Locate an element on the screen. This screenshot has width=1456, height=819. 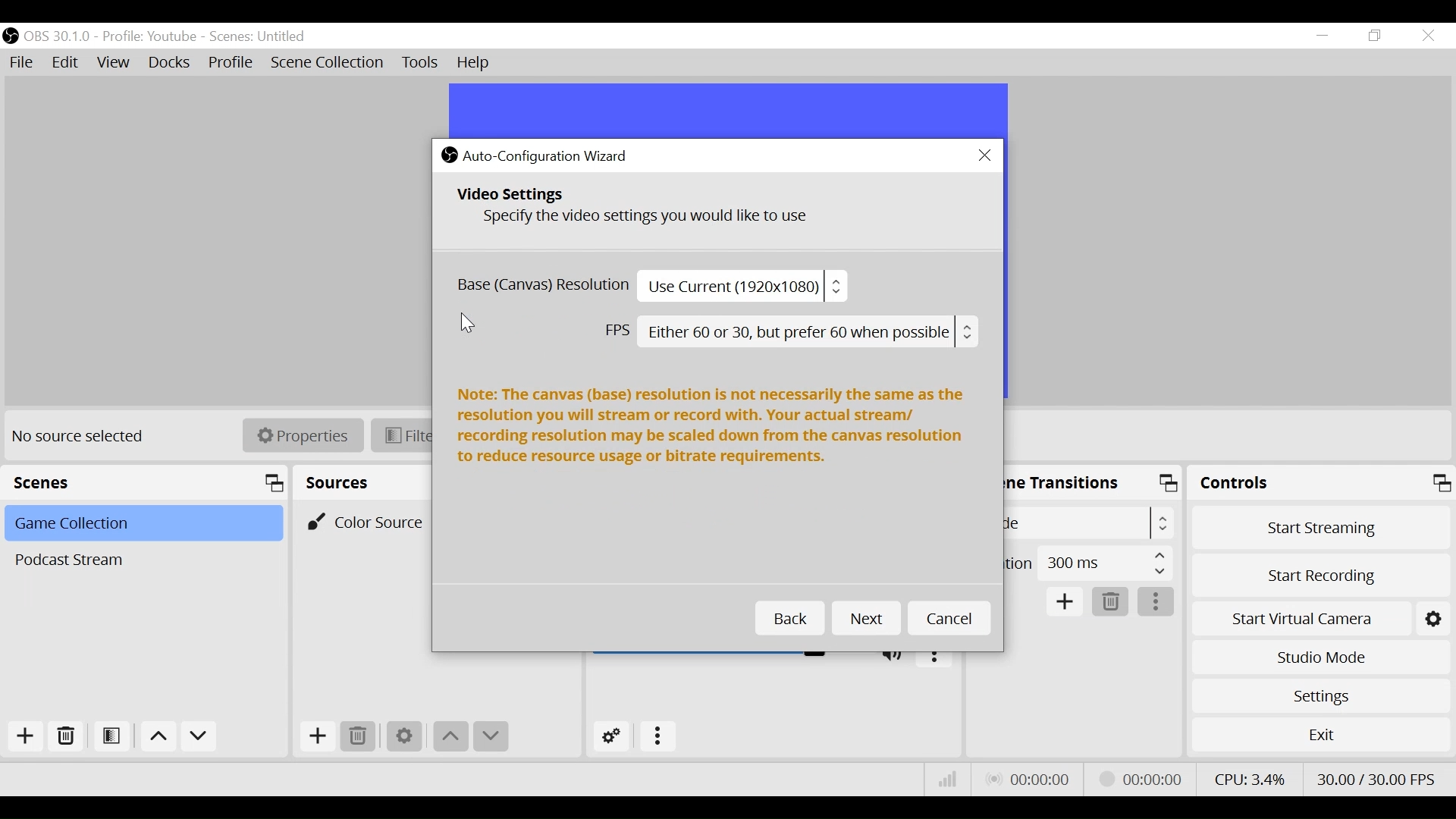
move up is located at coordinates (452, 738).